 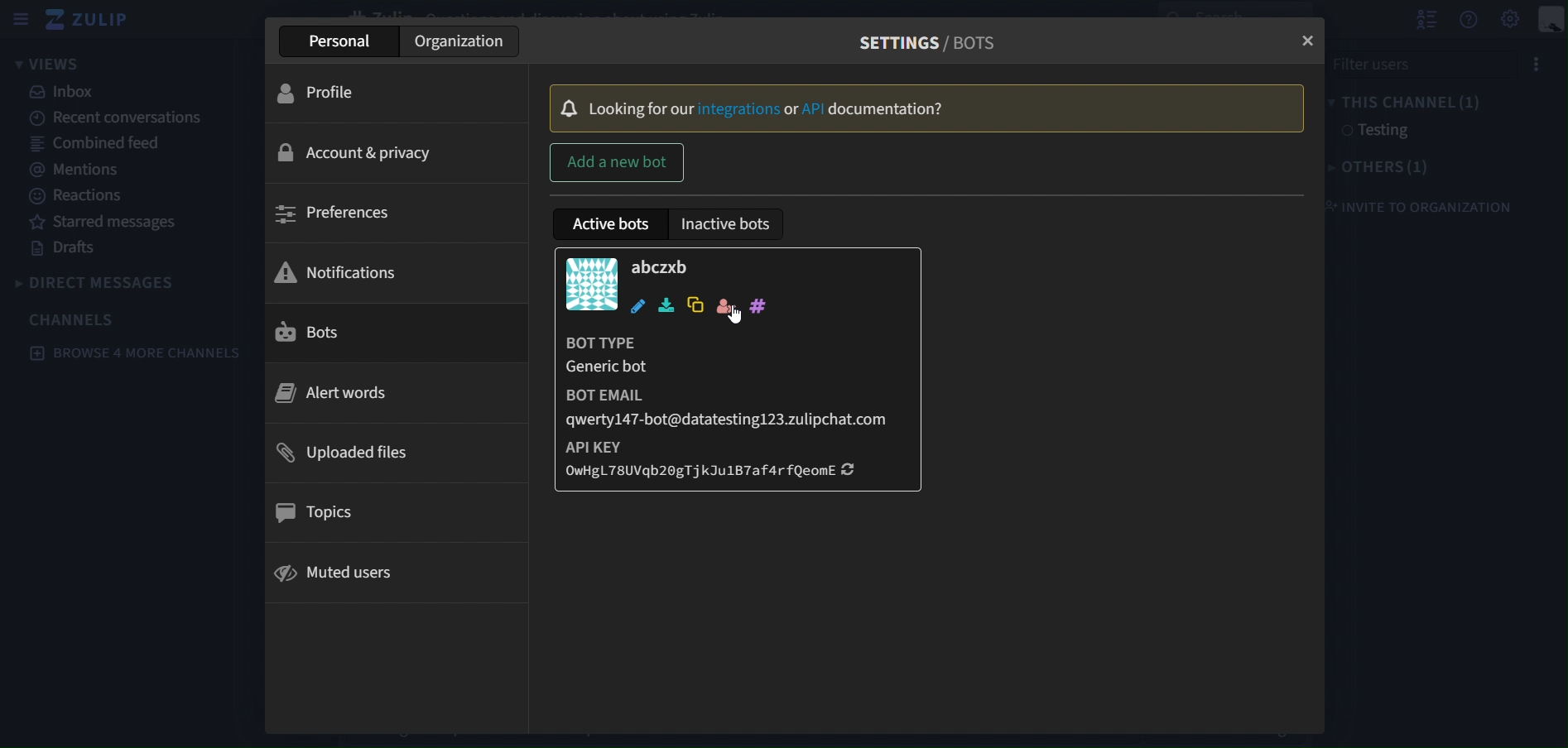 What do you see at coordinates (97, 146) in the screenshot?
I see `combined feed` at bounding box center [97, 146].